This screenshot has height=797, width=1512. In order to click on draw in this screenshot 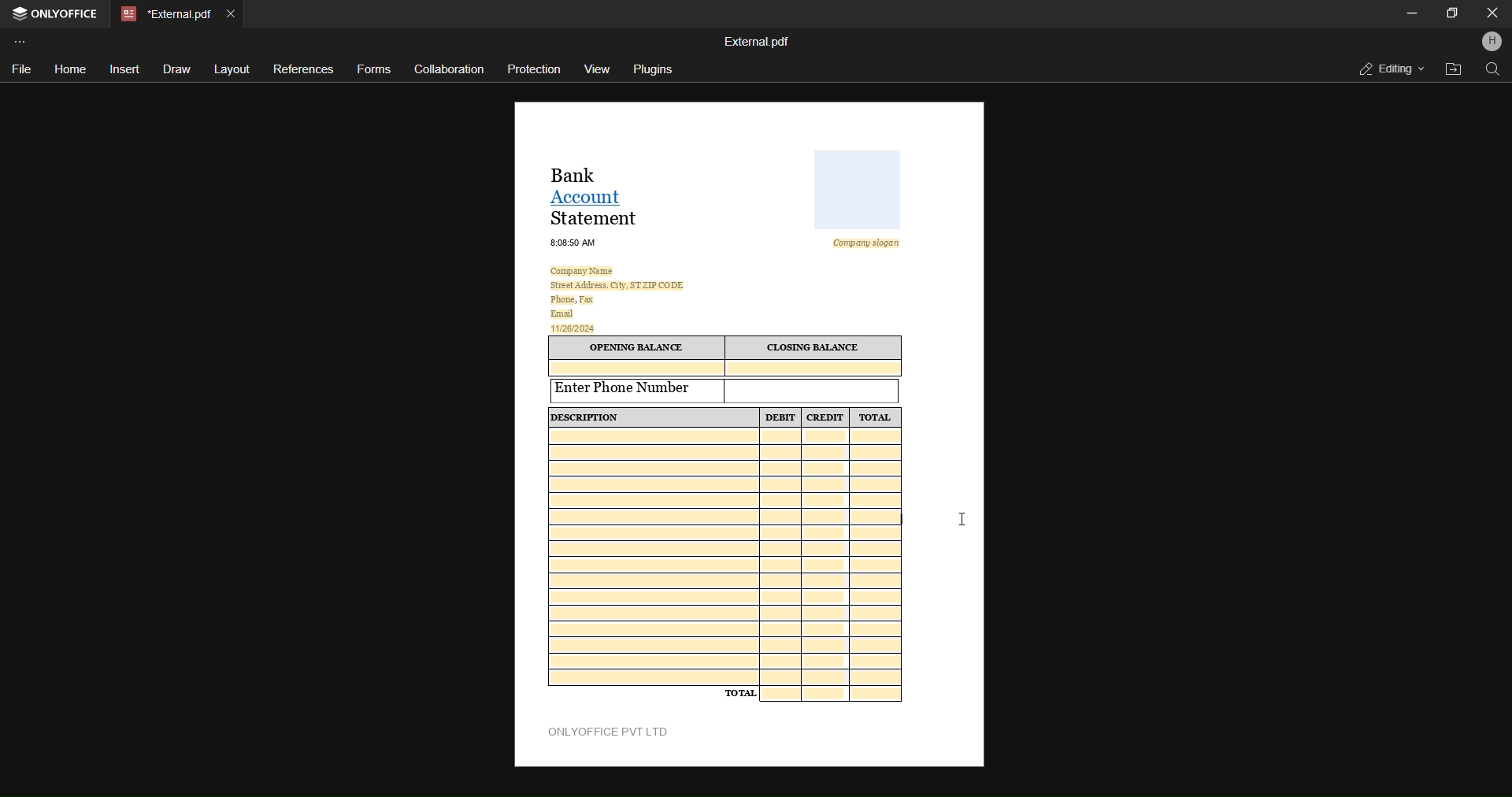, I will do `click(176, 71)`.